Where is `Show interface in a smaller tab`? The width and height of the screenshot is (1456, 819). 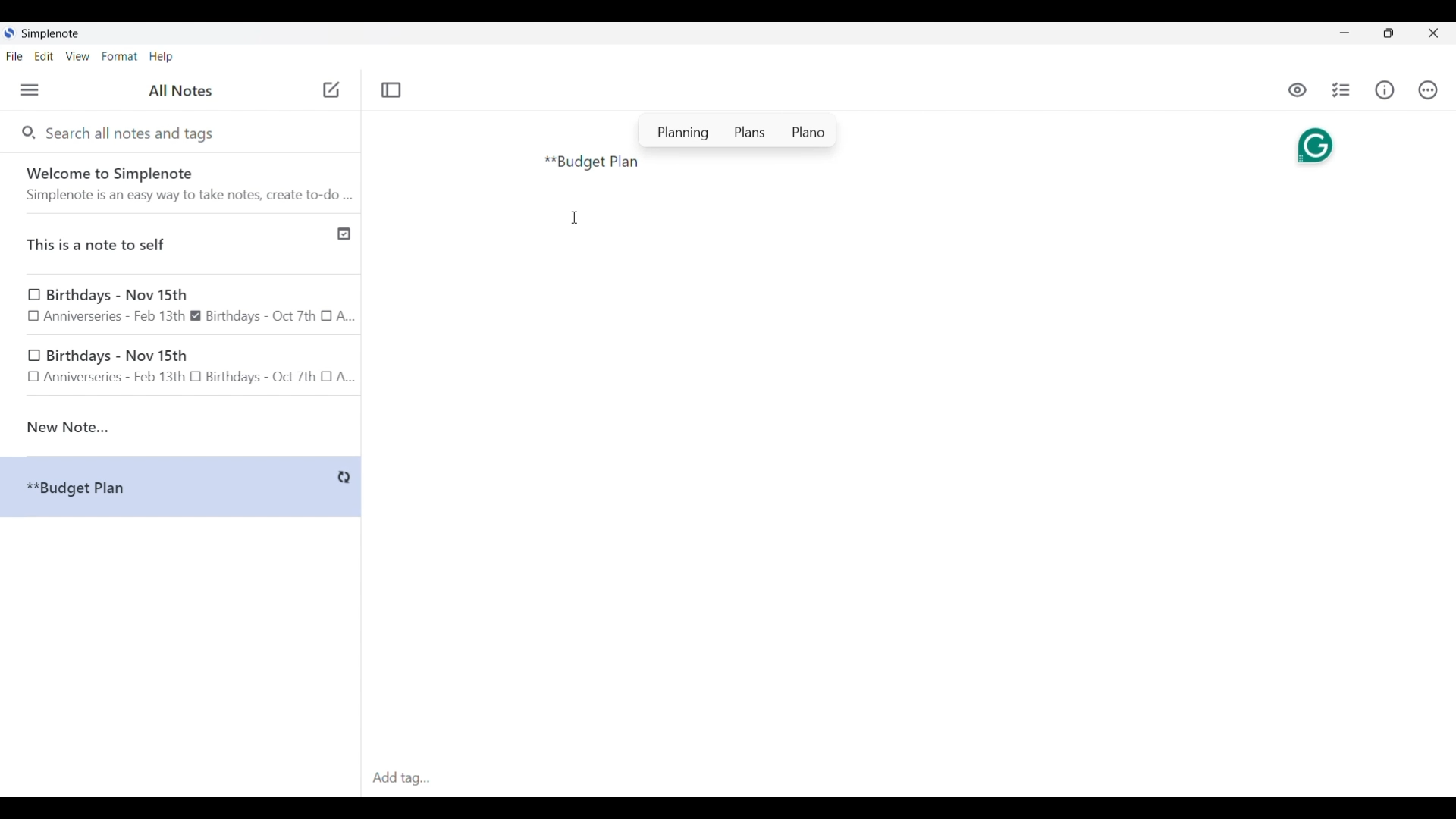
Show interface in a smaller tab is located at coordinates (1389, 33).